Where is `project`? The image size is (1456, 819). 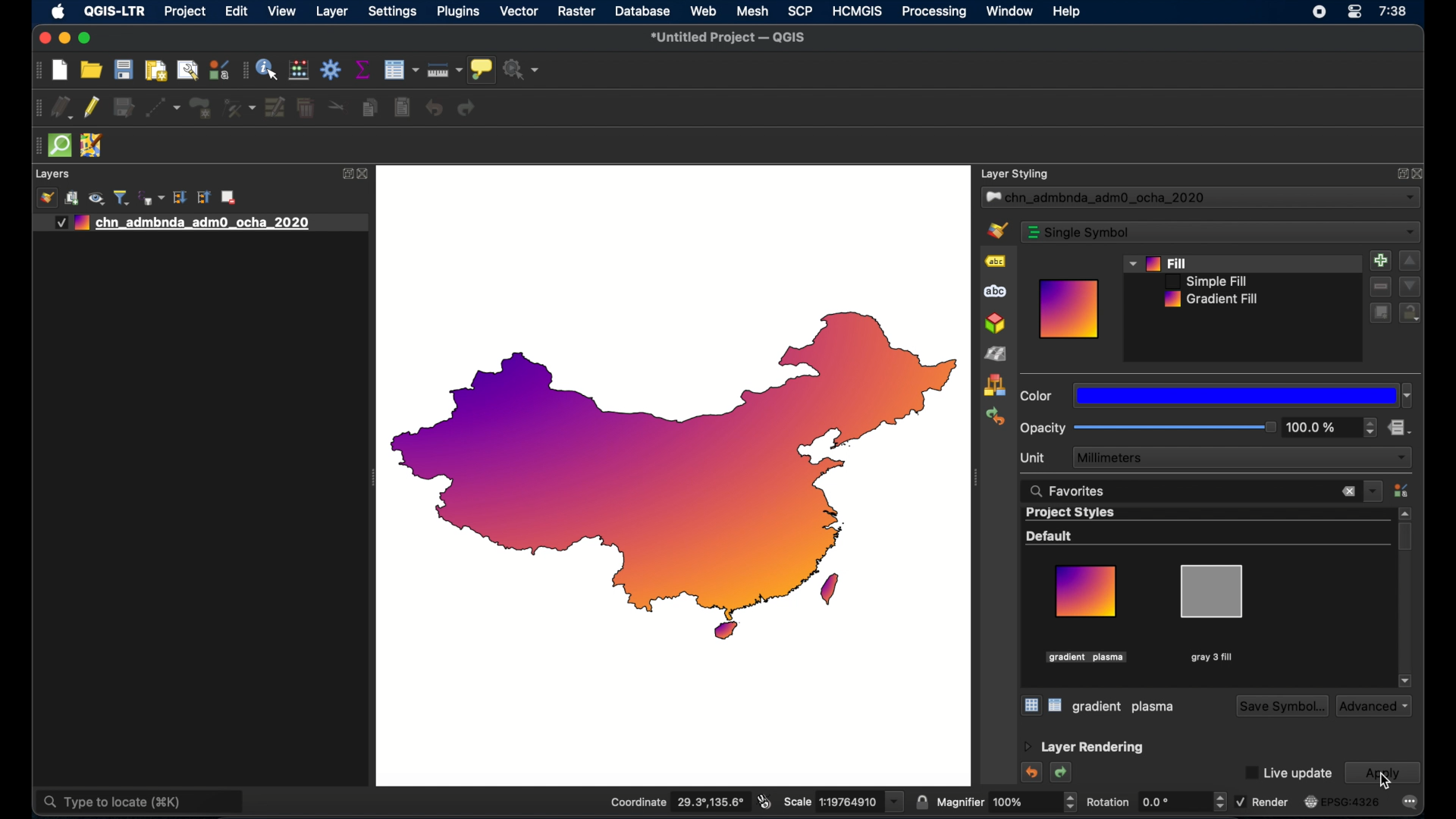
project is located at coordinates (184, 11).